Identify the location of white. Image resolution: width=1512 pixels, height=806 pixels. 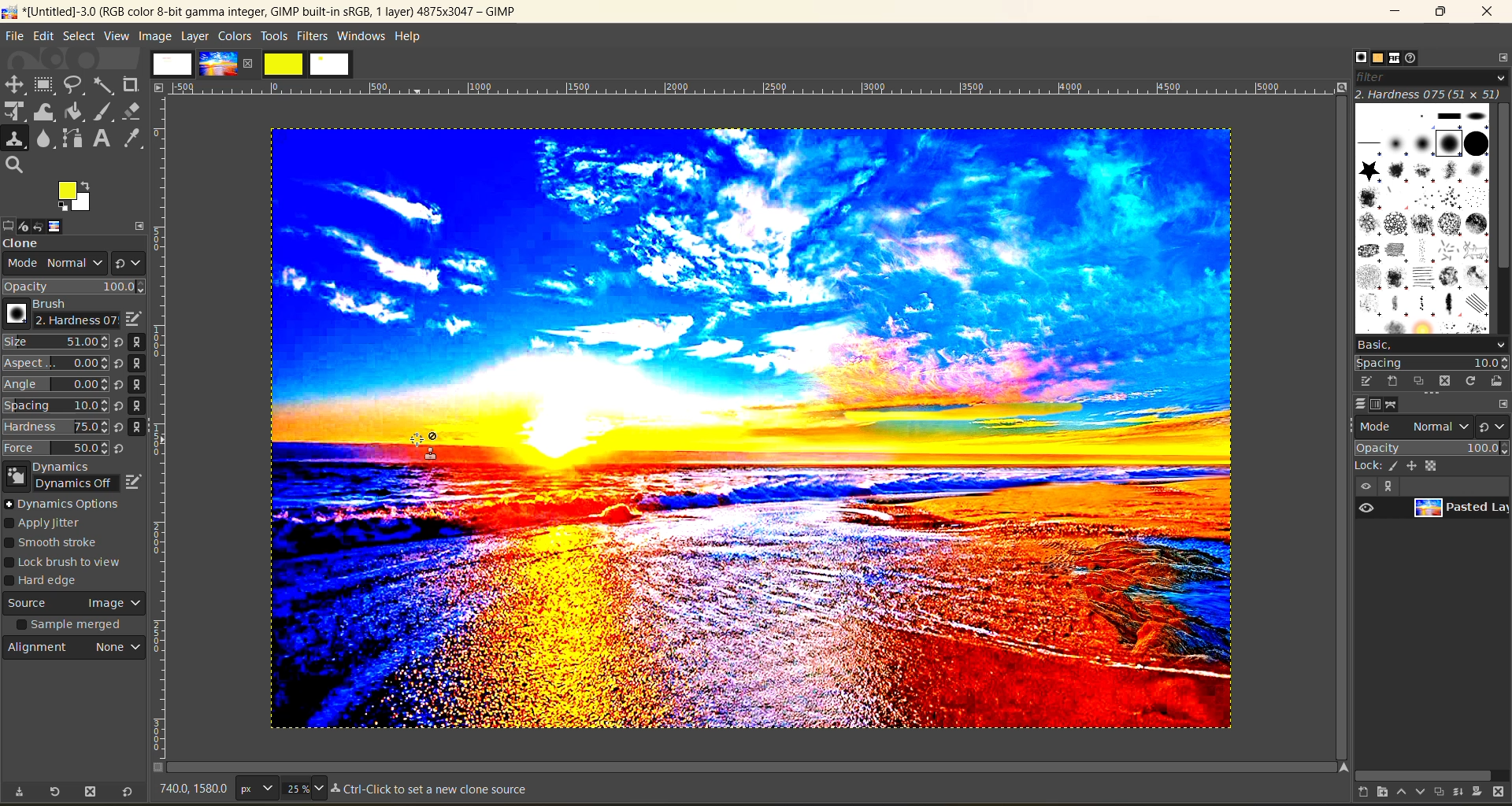
(332, 65).